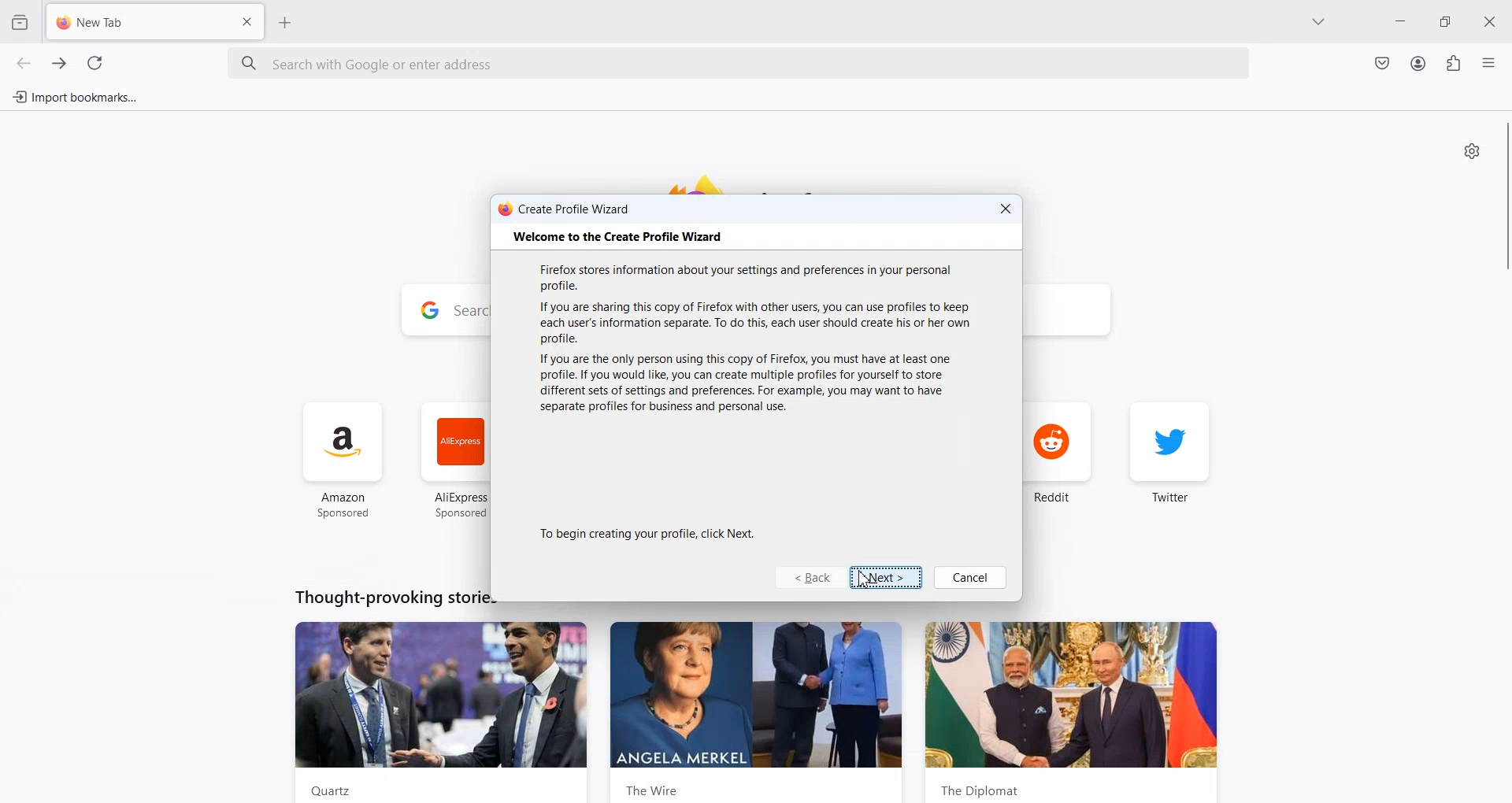  Describe the element at coordinates (971, 577) in the screenshot. I see `Cancel` at that location.